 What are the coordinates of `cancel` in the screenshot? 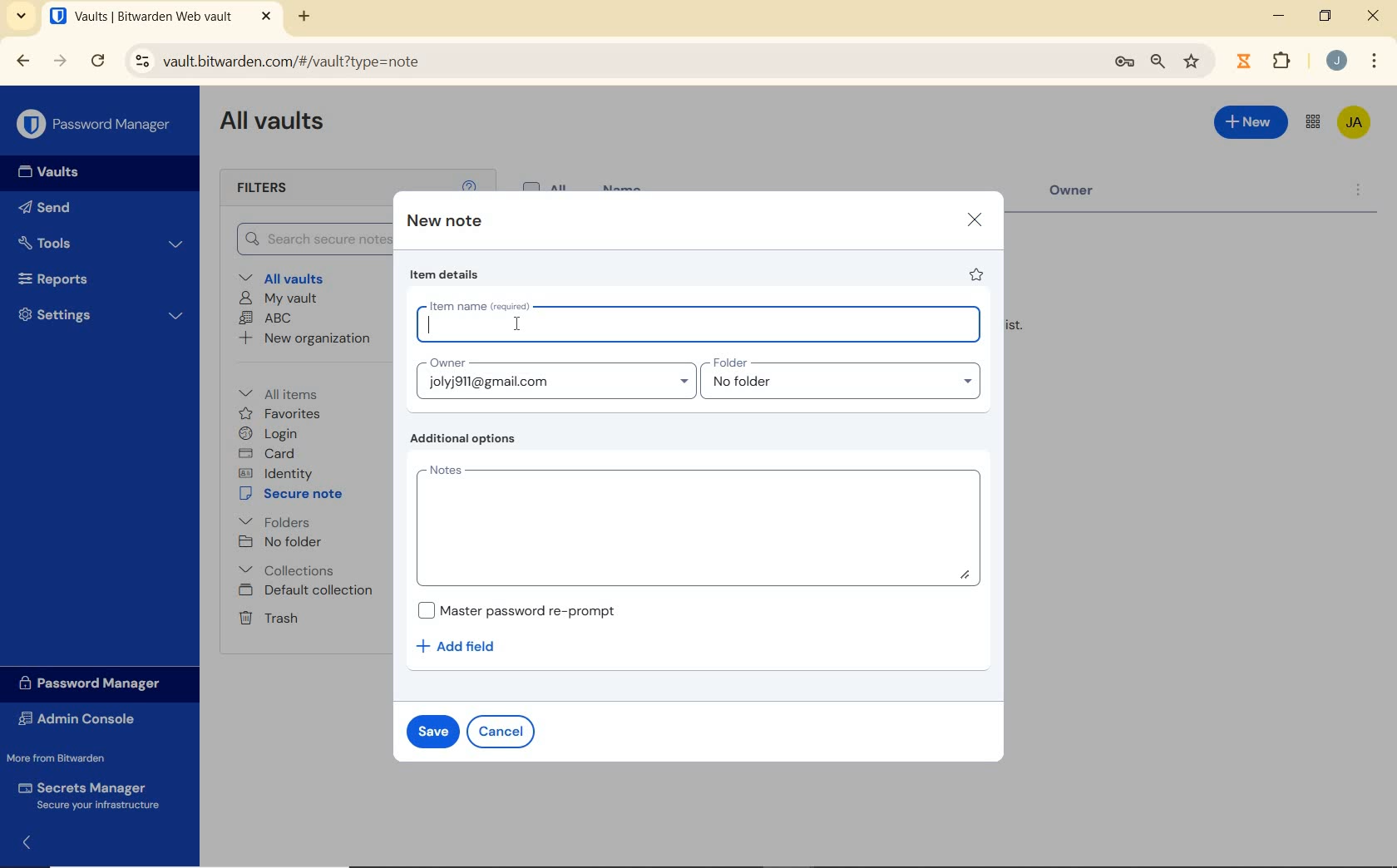 It's located at (501, 732).